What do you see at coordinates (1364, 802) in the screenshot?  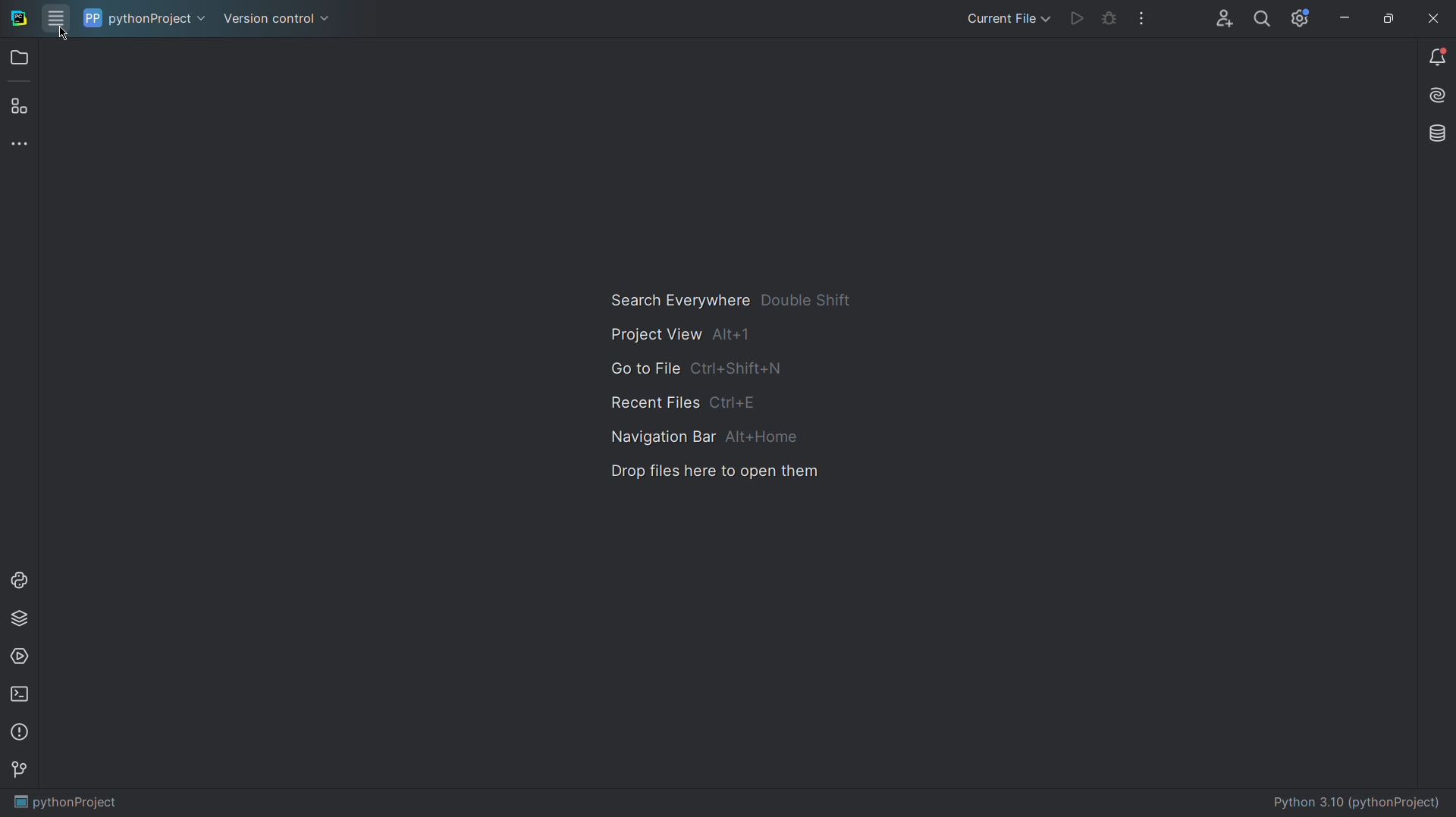 I see `Python 3.10 (pythonProject)` at bounding box center [1364, 802].